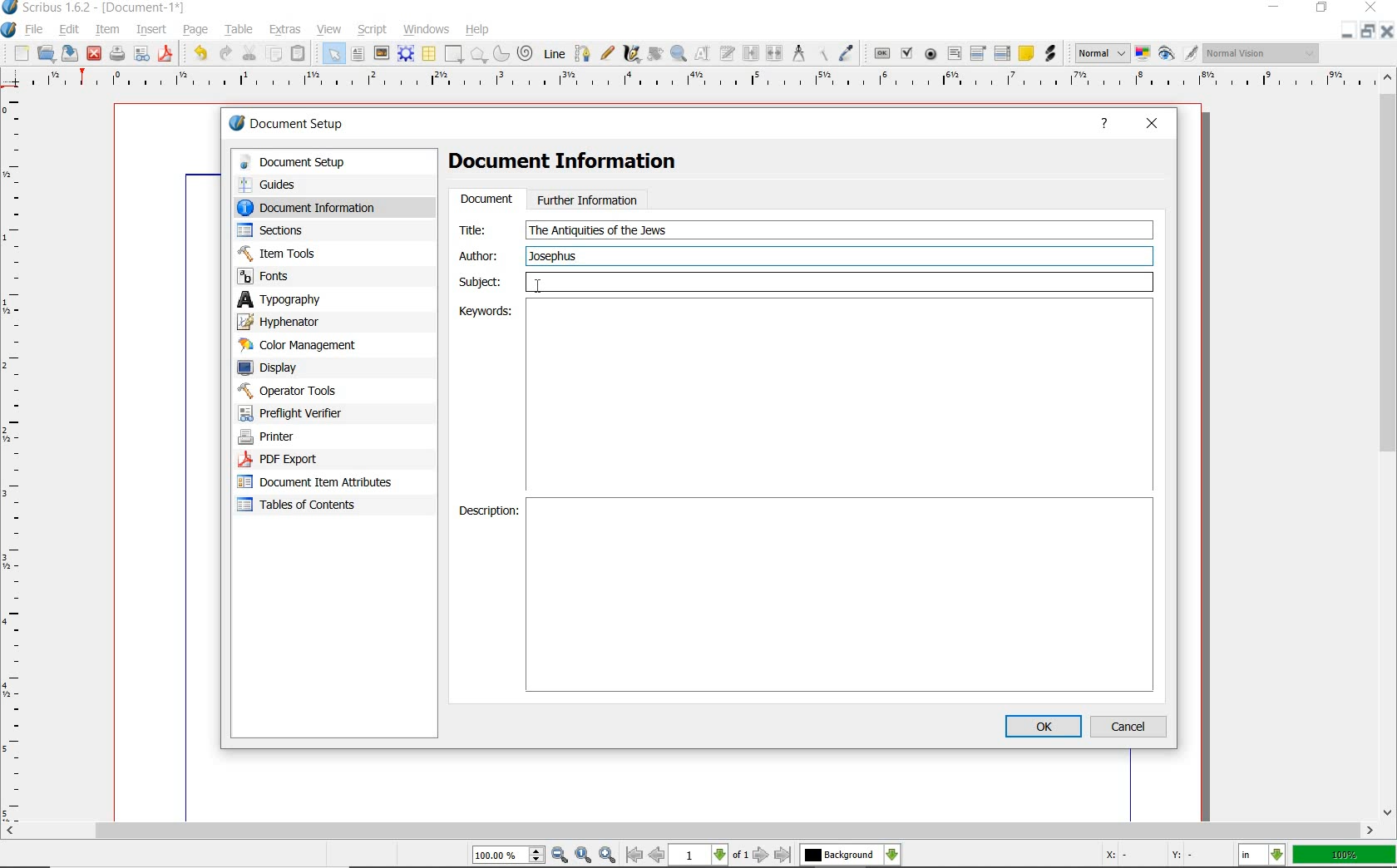 The image size is (1397, 868). What do you see at coordinates (286, 30) in the screenshot?
I see `extras` at bounding box center [286, 30].